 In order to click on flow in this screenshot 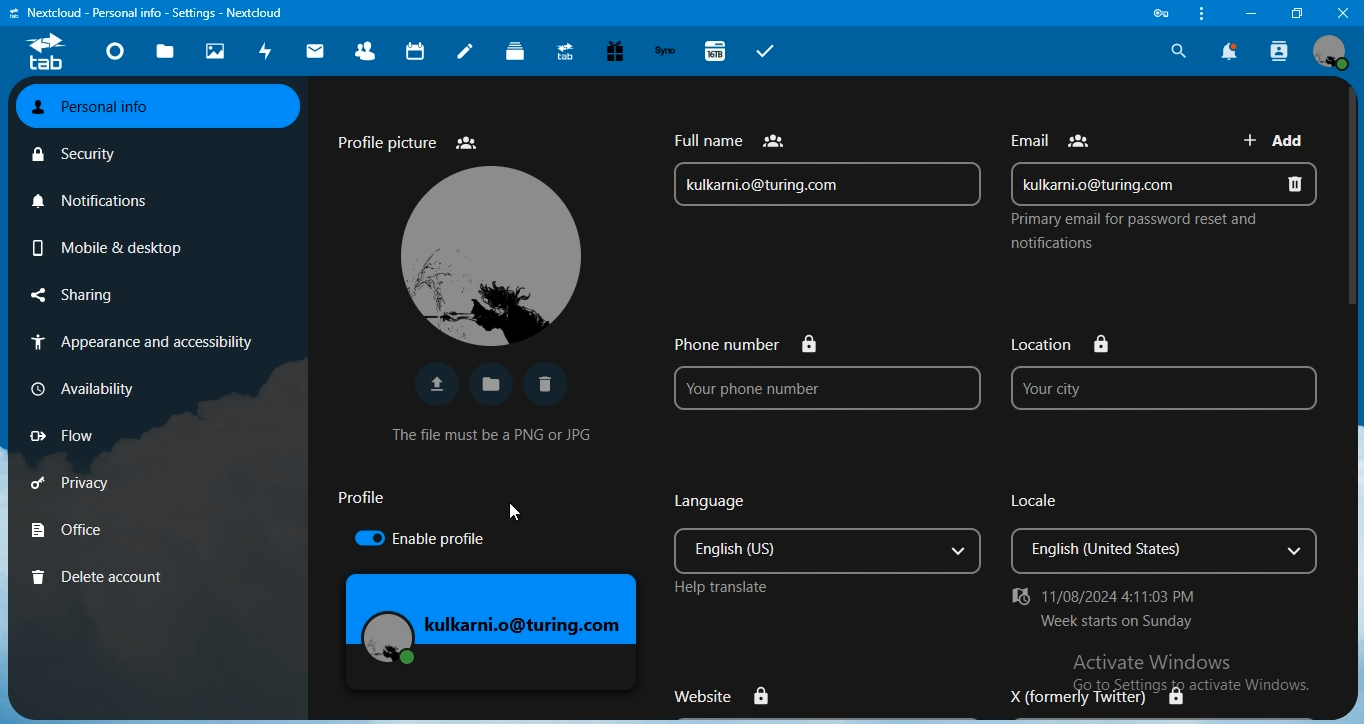, I will do `click(62, 436)`.